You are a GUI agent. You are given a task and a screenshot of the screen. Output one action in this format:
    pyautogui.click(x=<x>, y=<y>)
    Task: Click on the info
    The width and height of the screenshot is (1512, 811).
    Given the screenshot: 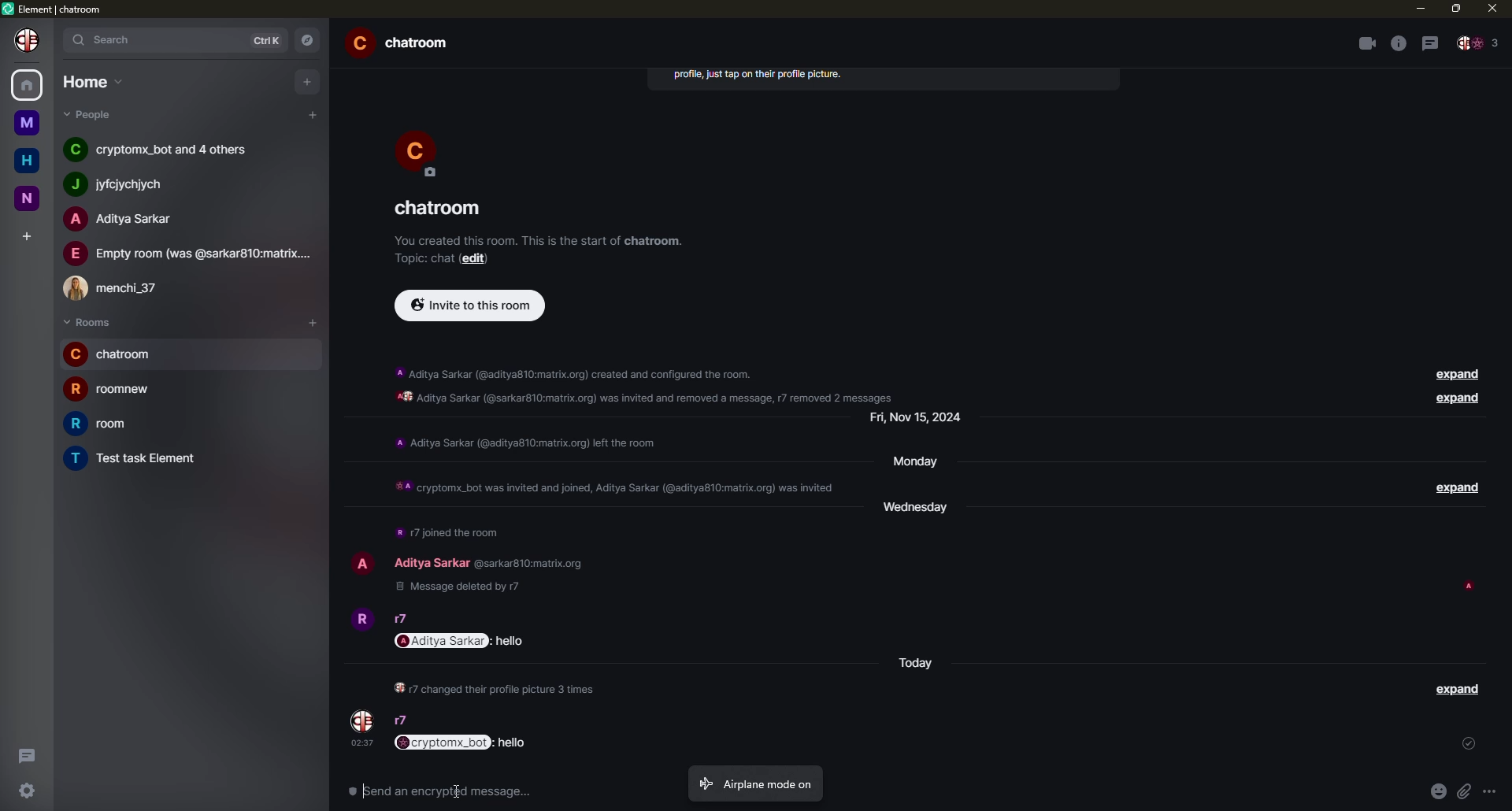 What is the action you would take?
    pyautogui.click(x=540, y=240)
    